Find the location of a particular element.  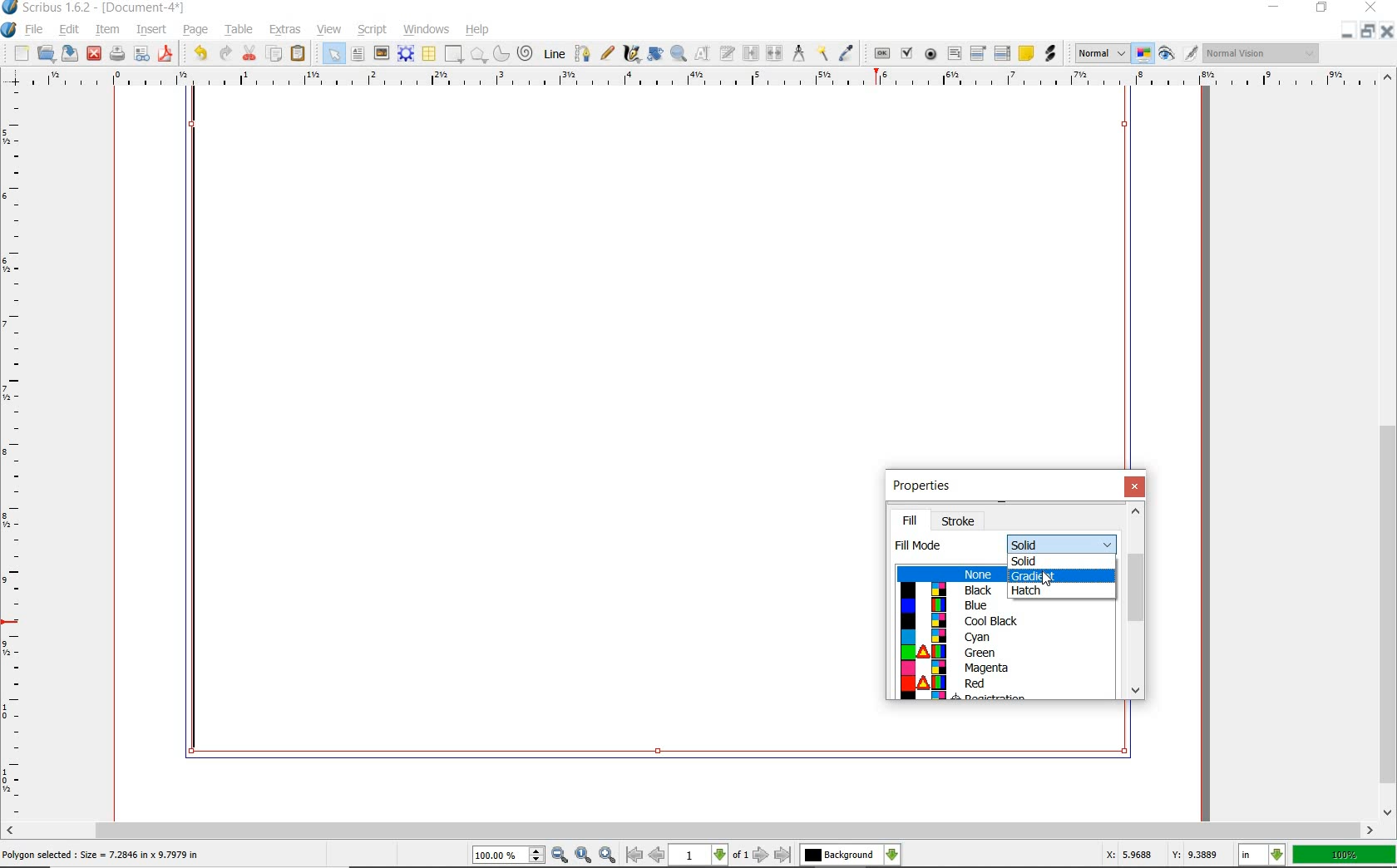

close is located at coordinates (1370, 8).